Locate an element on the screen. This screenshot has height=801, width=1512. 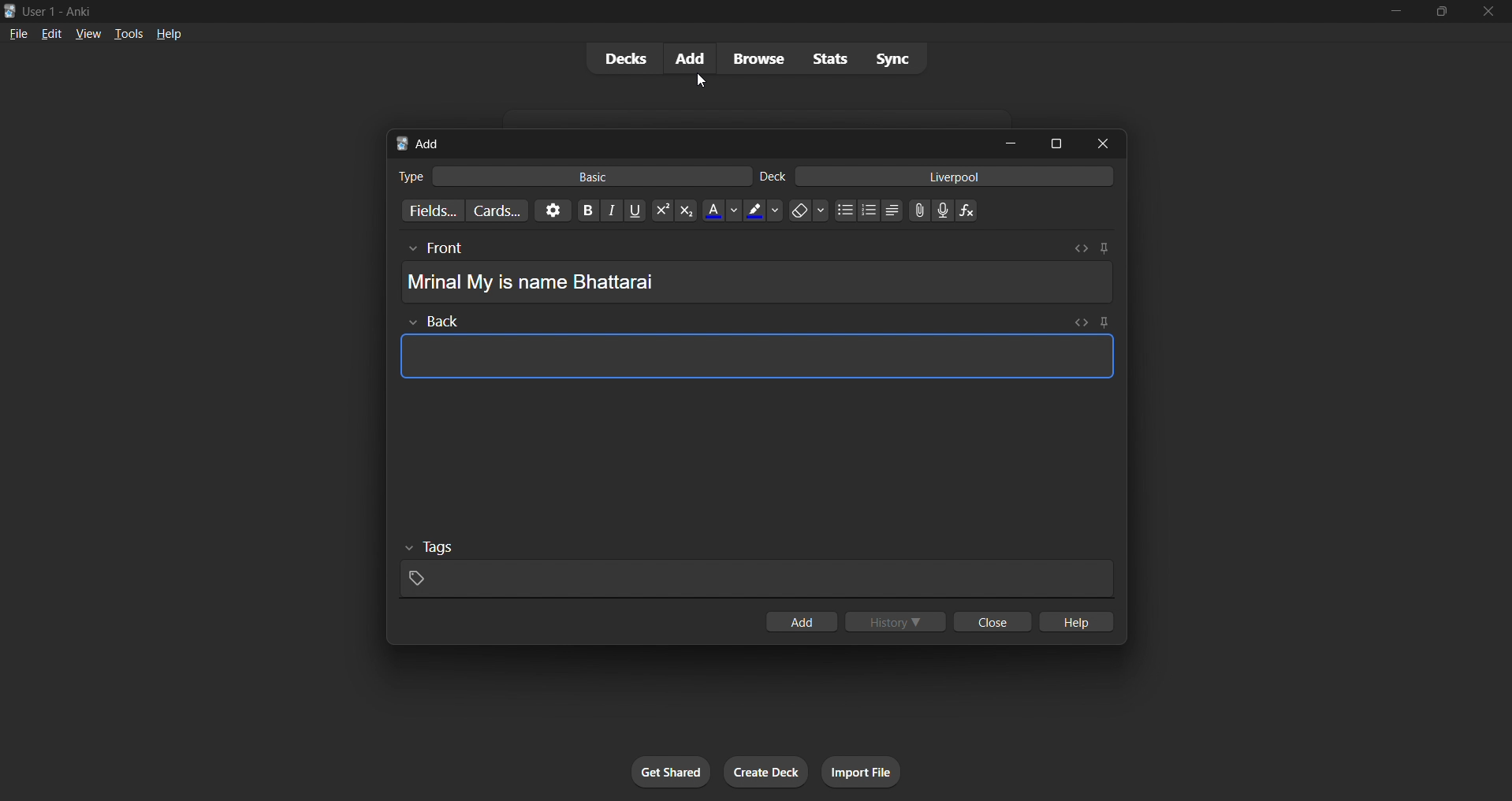
browse is located at coordinates (752, 58).